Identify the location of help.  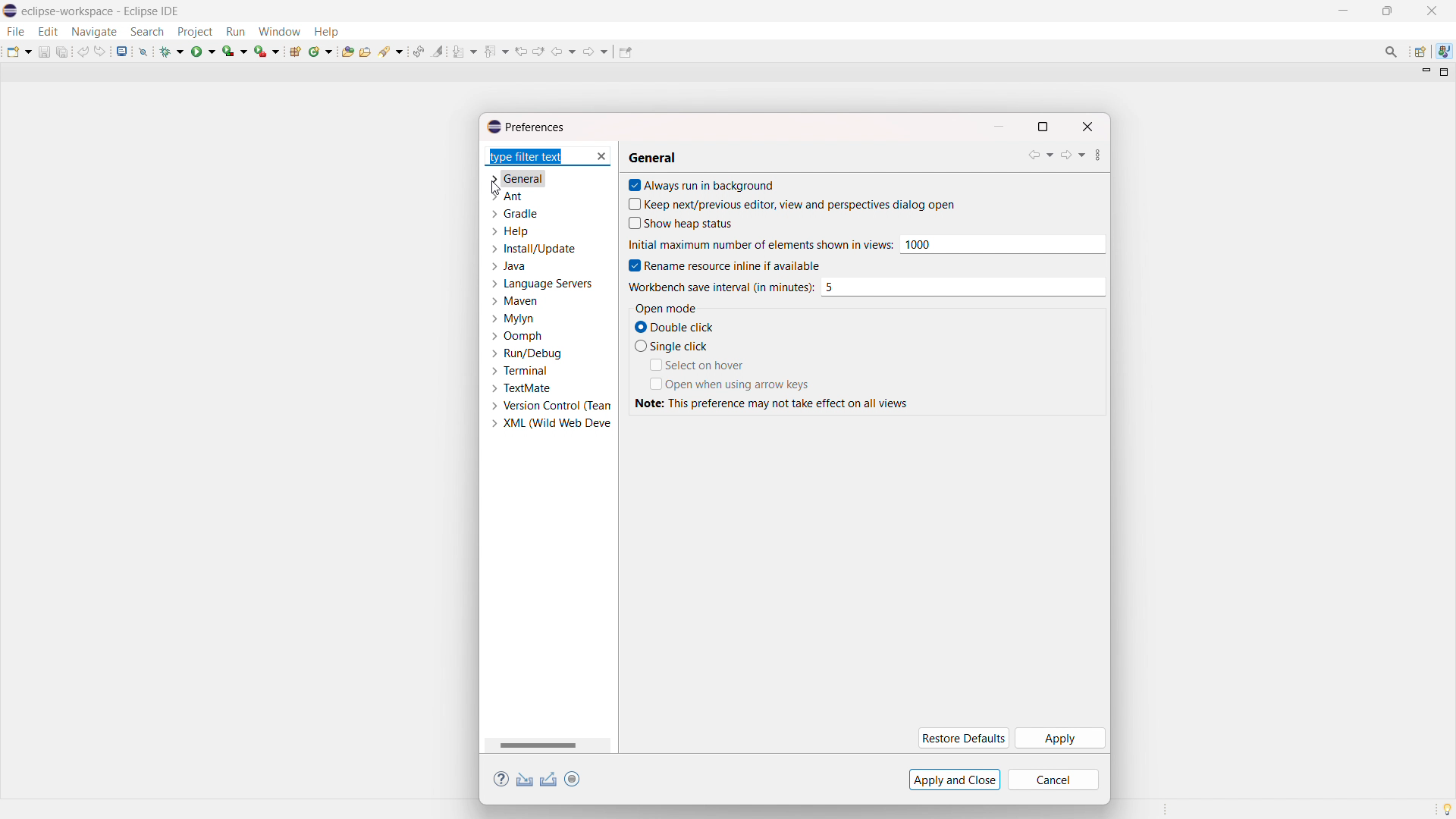
(326, 30).